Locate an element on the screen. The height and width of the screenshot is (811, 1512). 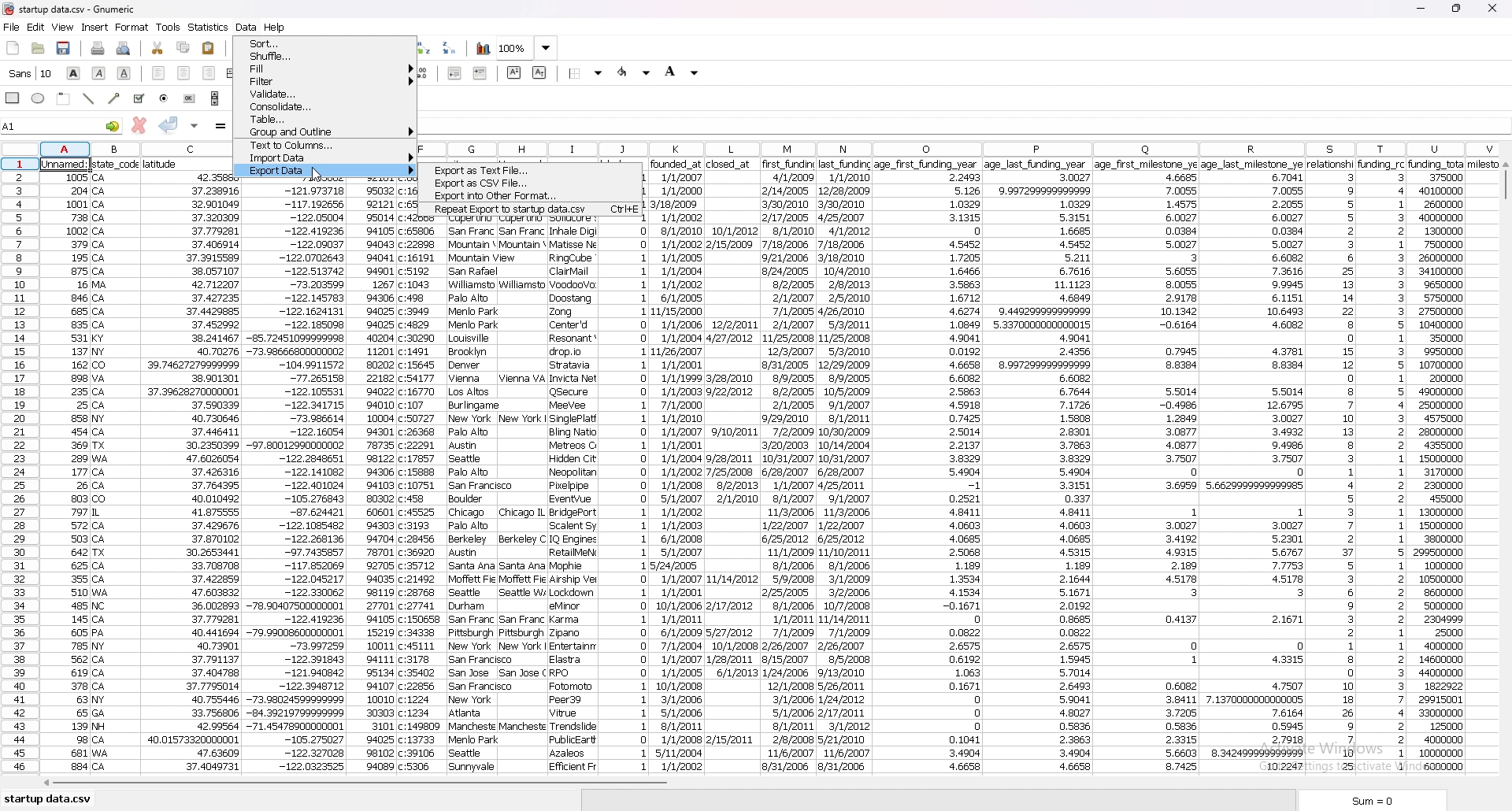
data is located at coordinates (844, 464).